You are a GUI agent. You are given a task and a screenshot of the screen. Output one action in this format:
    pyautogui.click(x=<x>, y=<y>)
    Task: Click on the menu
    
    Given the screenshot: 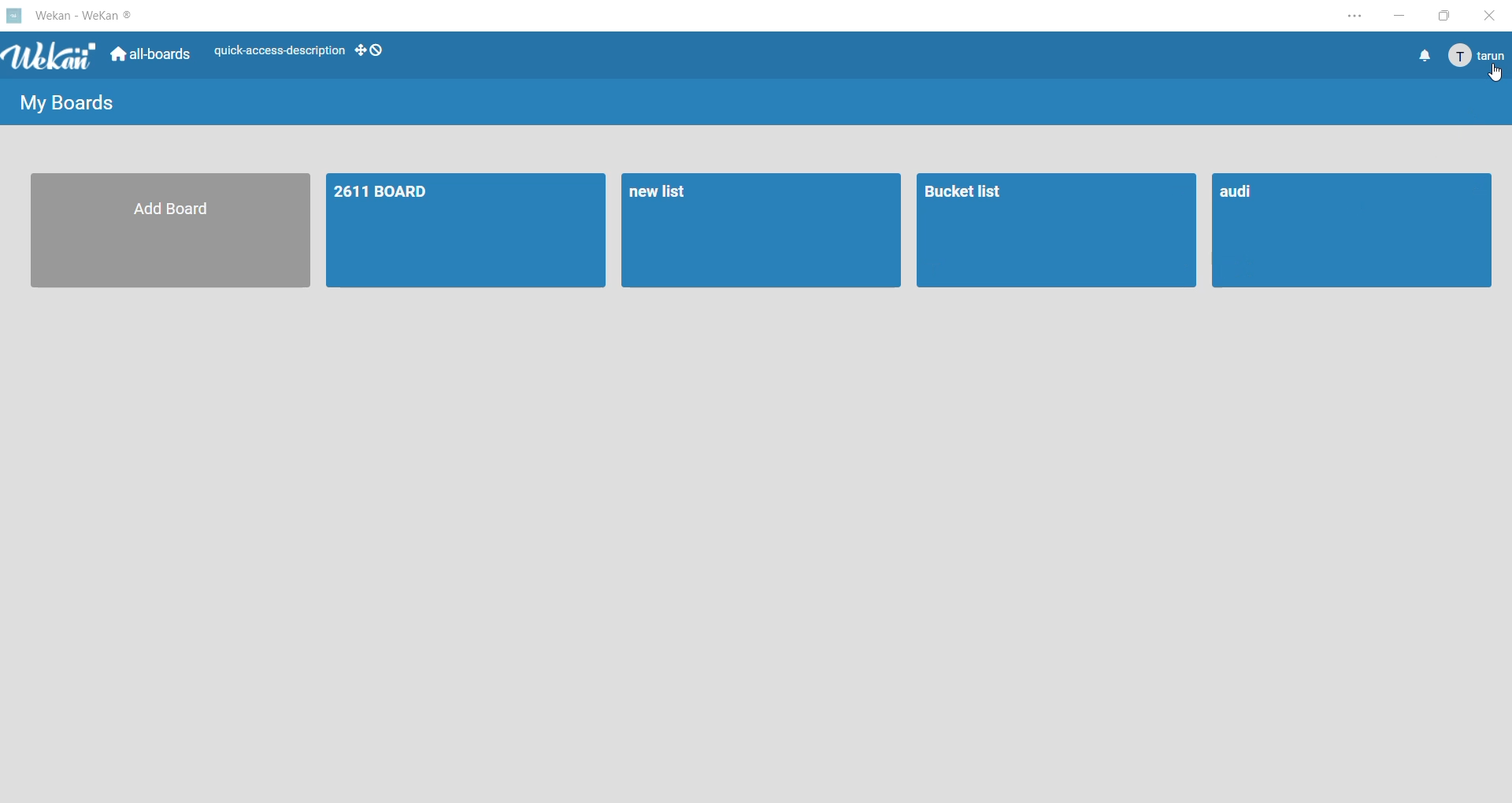 What is the action you would take?
    pyautogui.click(x=1476, y=55)
    